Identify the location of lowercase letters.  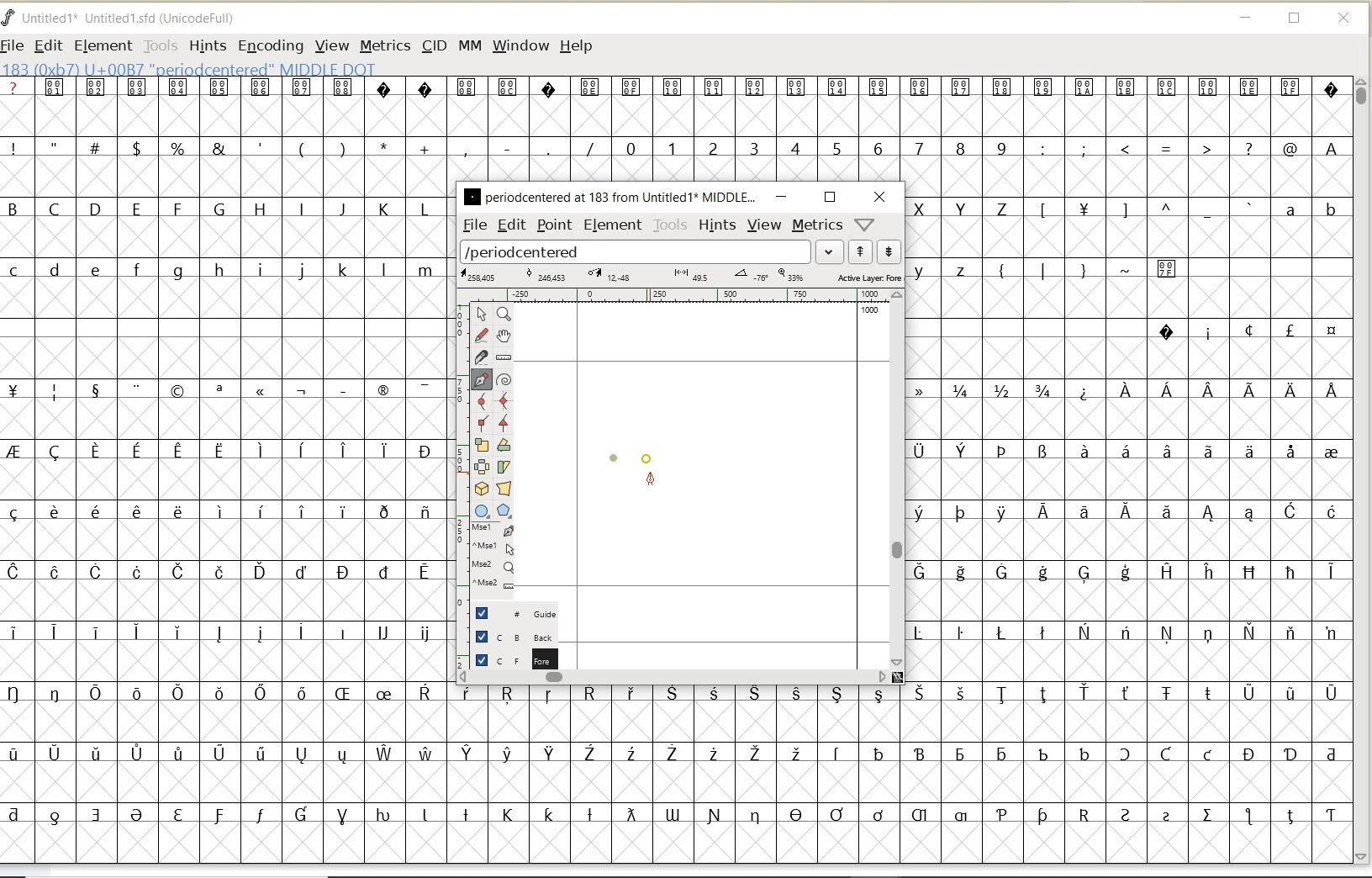
(1310, 213).